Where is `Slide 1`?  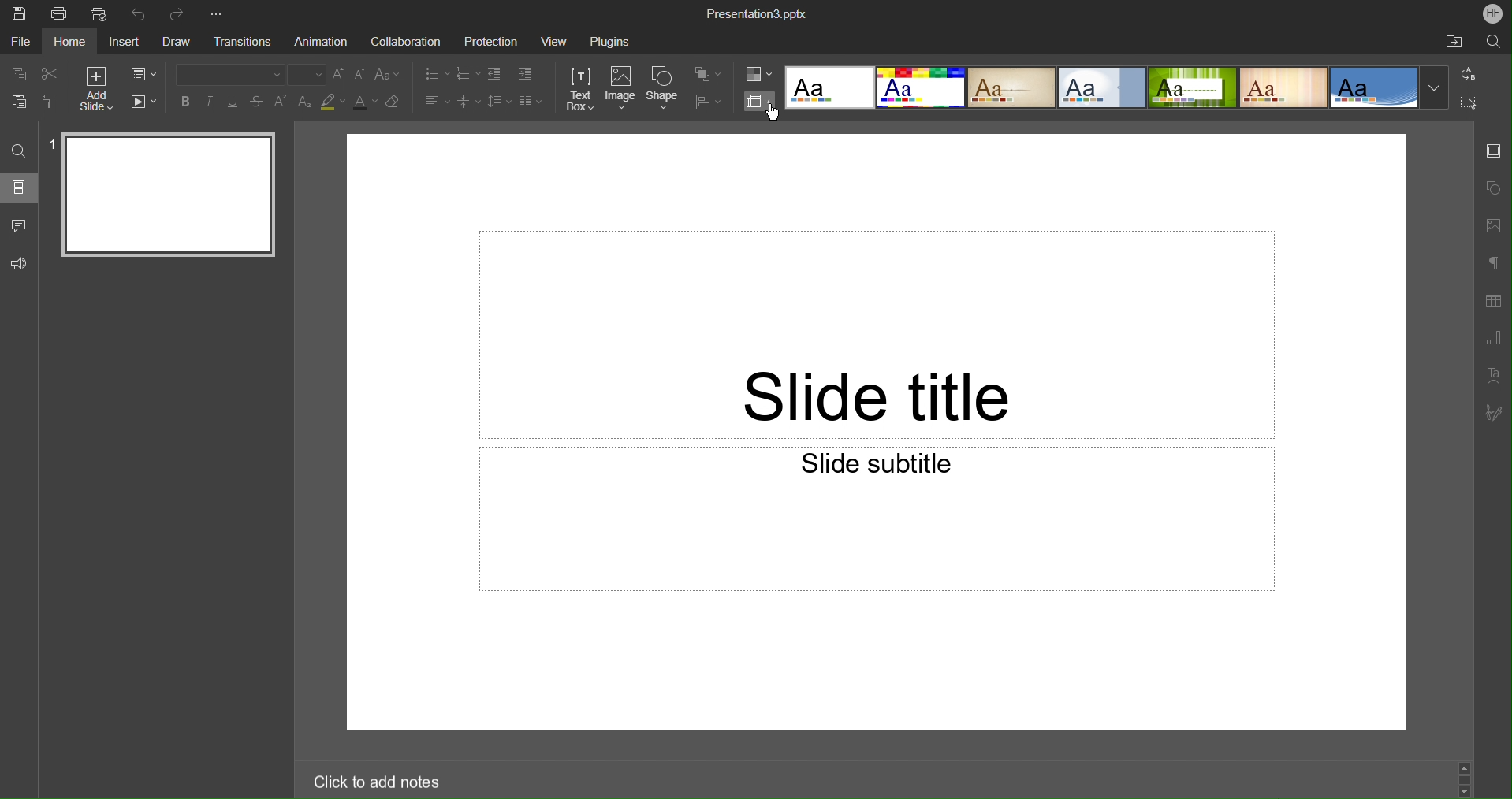
Slide 1 is located at coordinates (164, 196).